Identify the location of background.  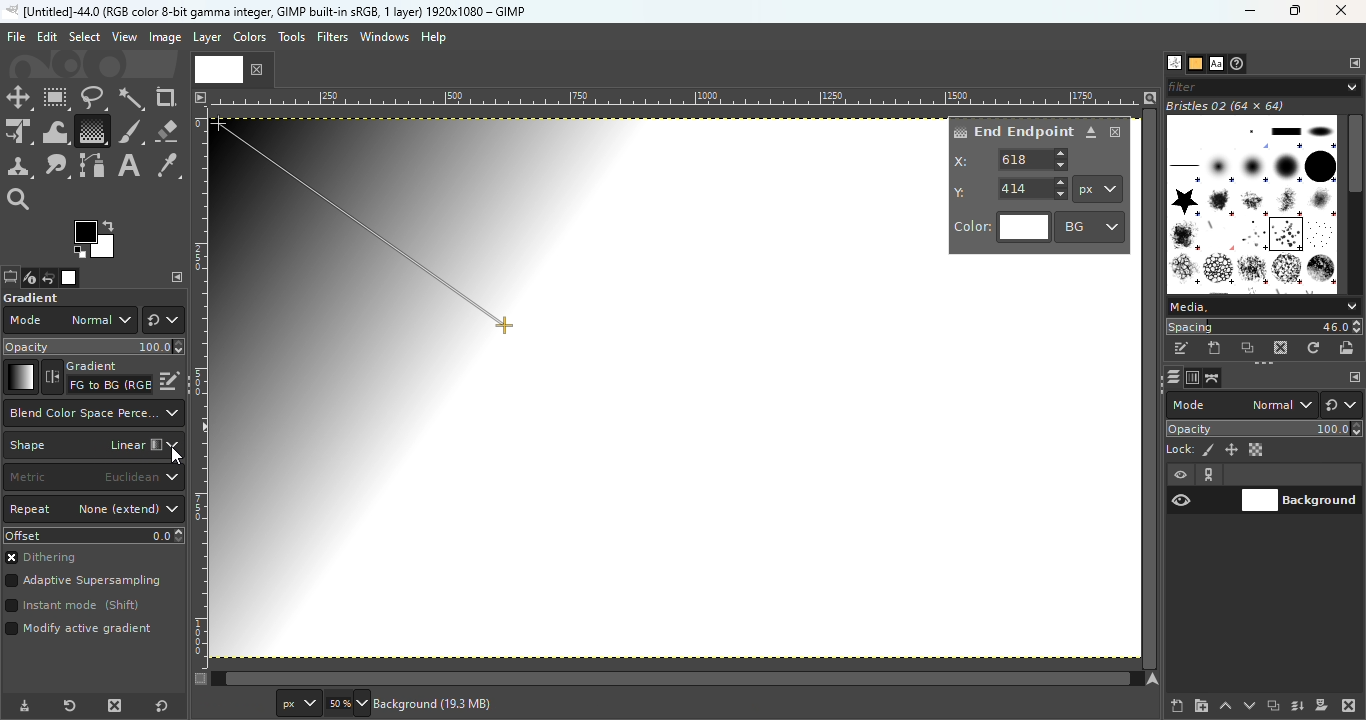
(438, 703).